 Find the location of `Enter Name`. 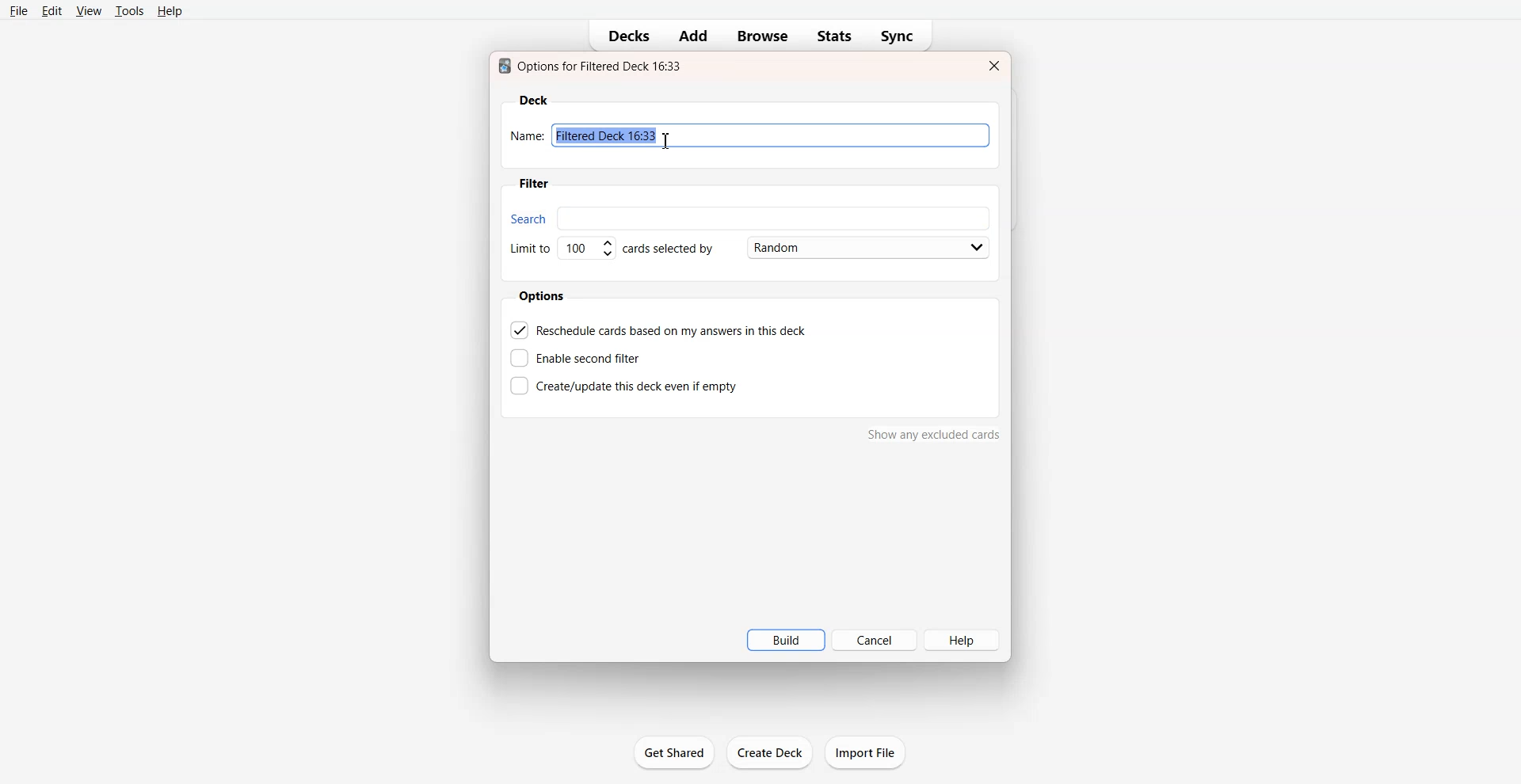

Enter Name is located at coordinates (756, 135).